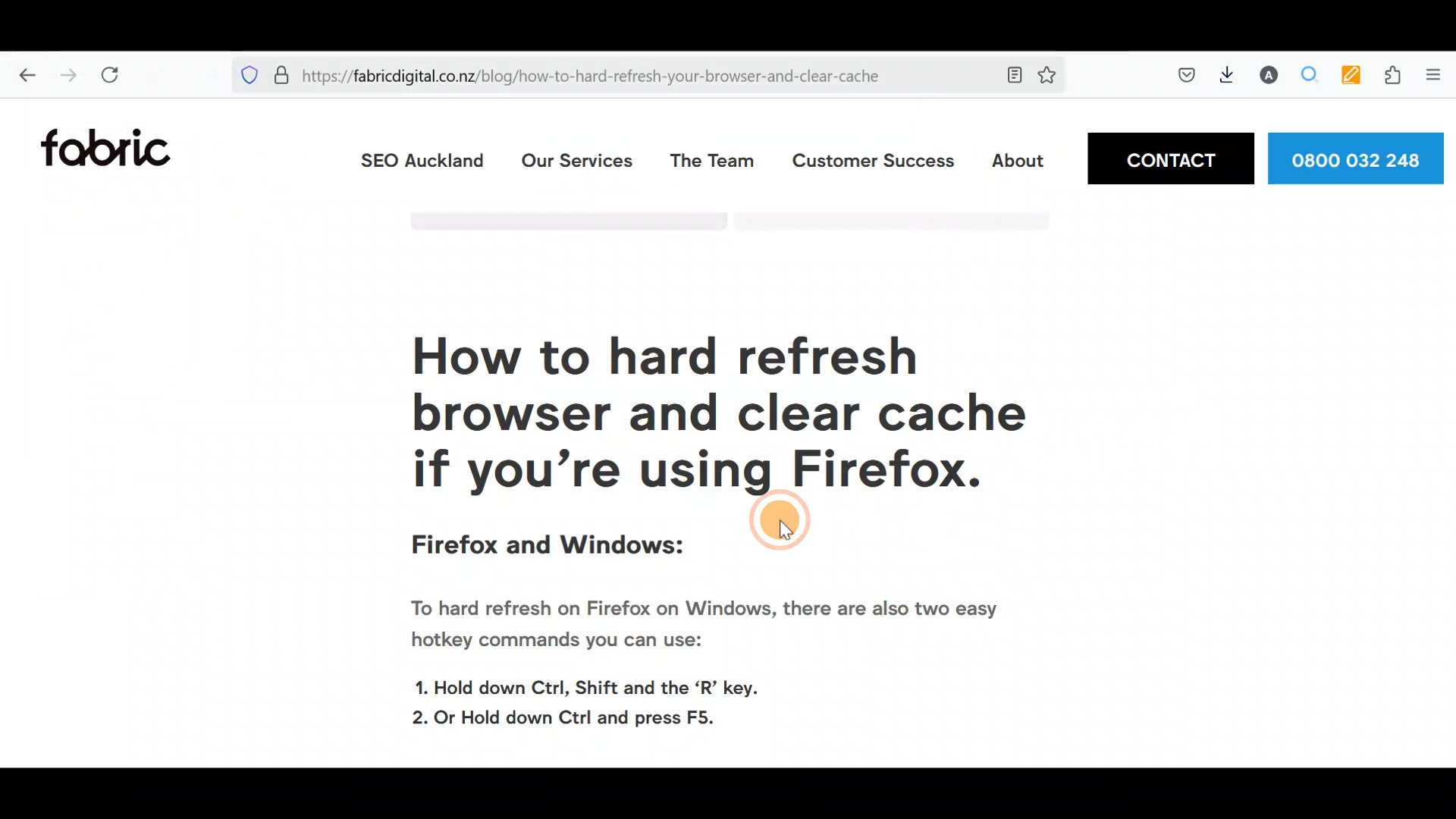 The height and width of the screenshot is (819, 1456). I want to click on Multi keyword highlighter, so click(1350, 77).